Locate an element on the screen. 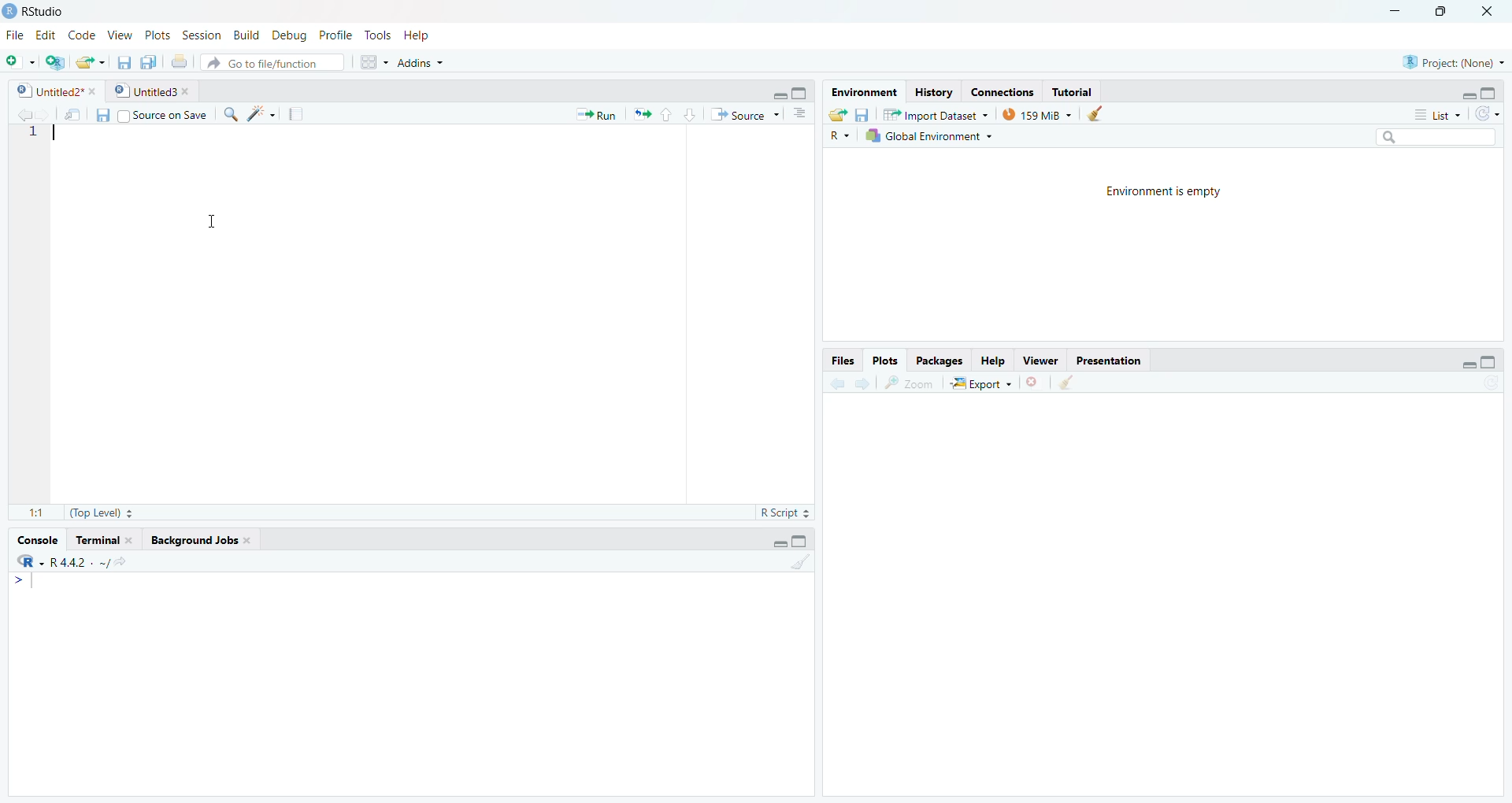 The width and height of the screenshot is (1512, 803). Save all open files is located at coordinates (150, 62).